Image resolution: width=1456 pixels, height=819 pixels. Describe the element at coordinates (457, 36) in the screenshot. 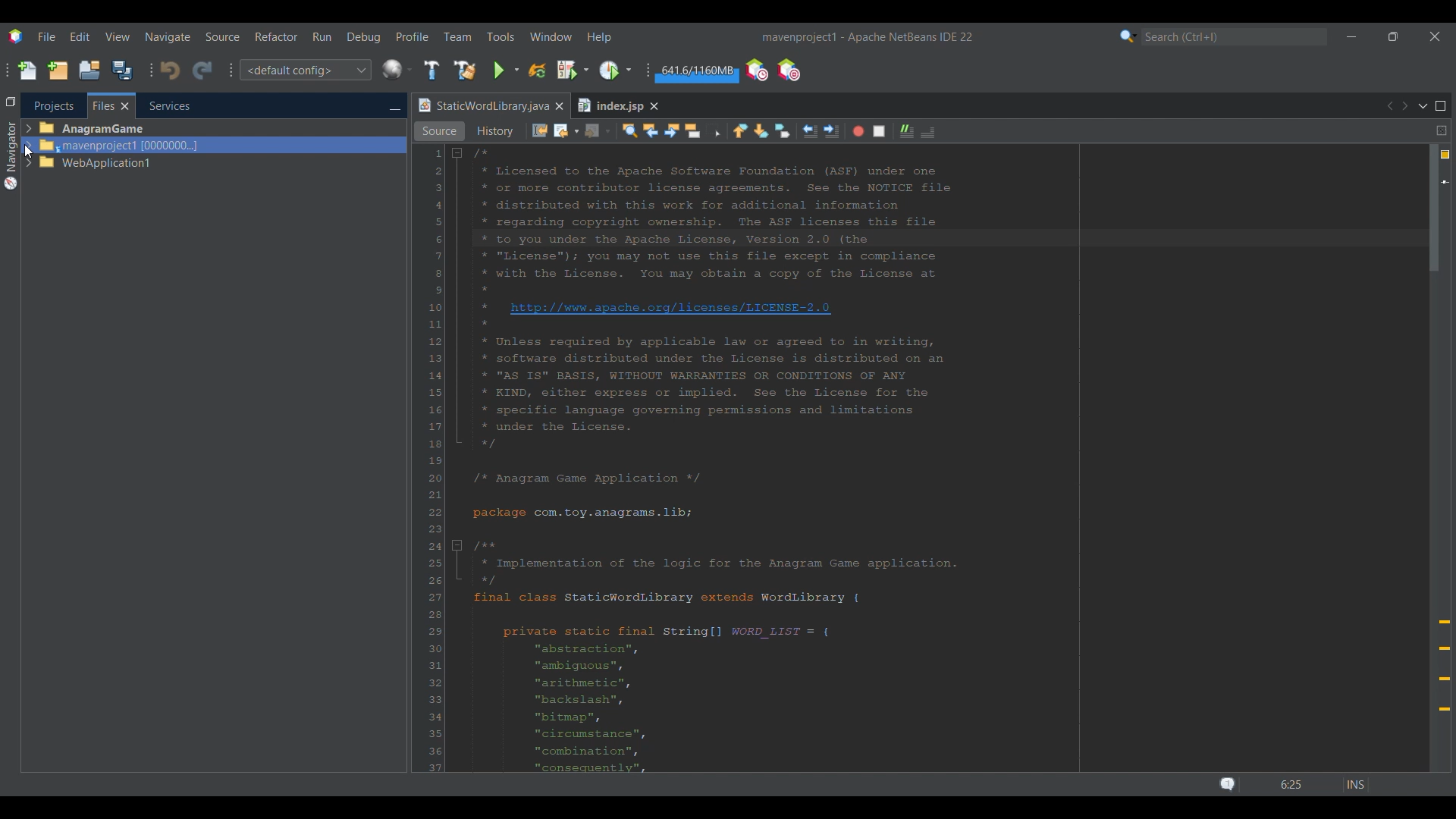

I see `Team menu` at that location.